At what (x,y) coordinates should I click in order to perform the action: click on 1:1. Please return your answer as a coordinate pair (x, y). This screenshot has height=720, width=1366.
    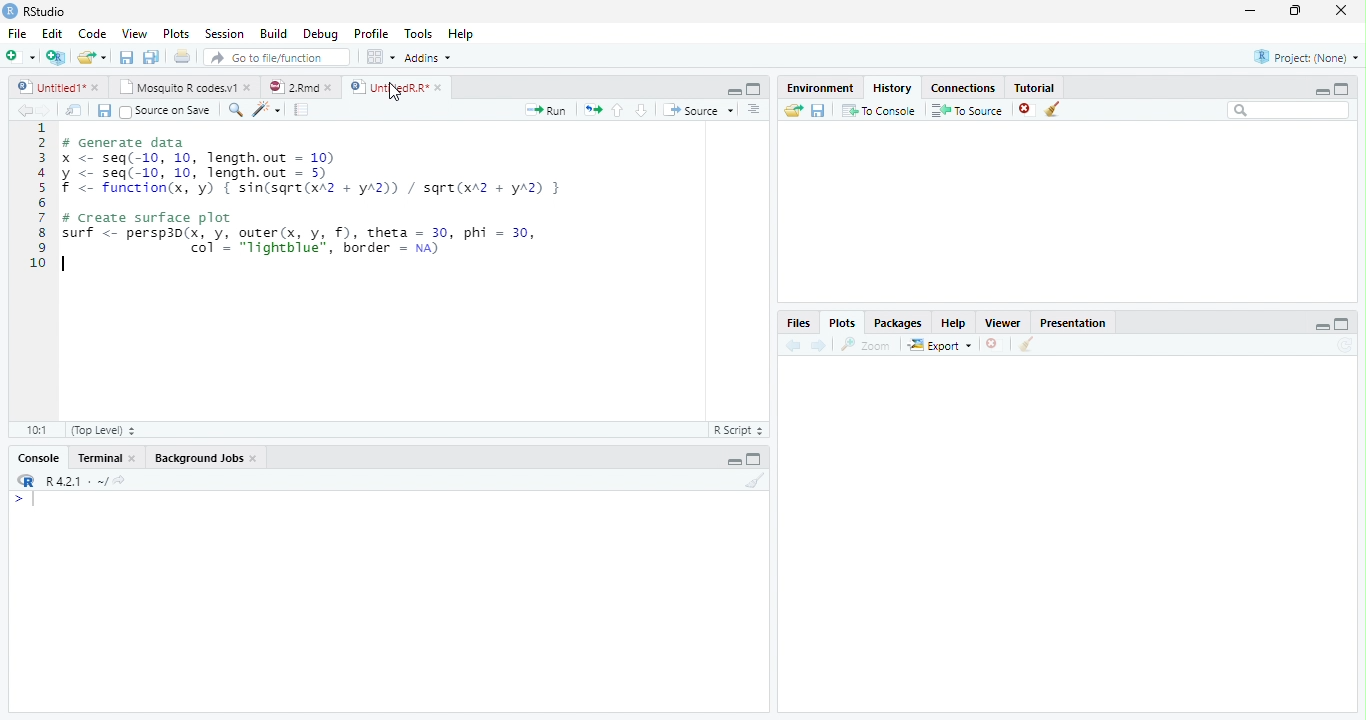
    Looking at the image, I should click on (37, 430).